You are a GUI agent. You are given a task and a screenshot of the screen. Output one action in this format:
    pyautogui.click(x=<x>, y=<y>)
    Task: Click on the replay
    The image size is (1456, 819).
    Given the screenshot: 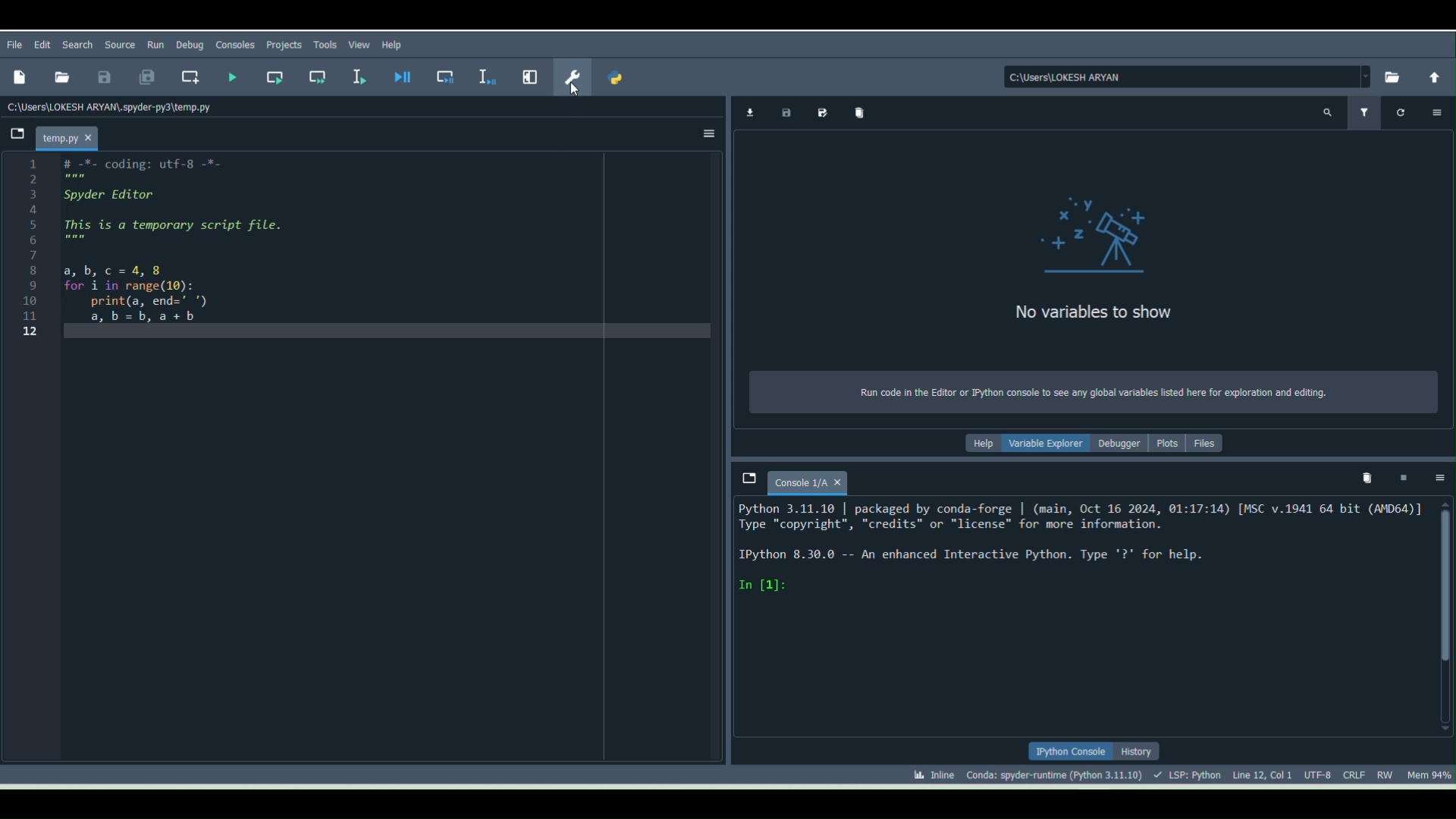 What is the action you would take?
    pyautogui.click(x=1401, y=111)
    